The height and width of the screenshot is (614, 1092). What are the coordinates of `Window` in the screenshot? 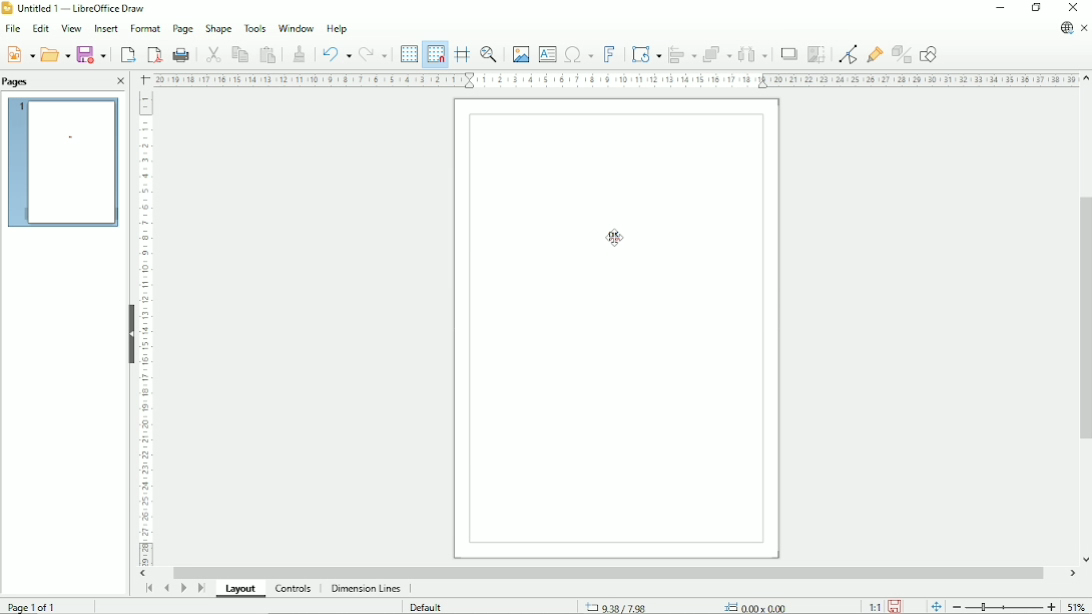 It's located at (295, 27).